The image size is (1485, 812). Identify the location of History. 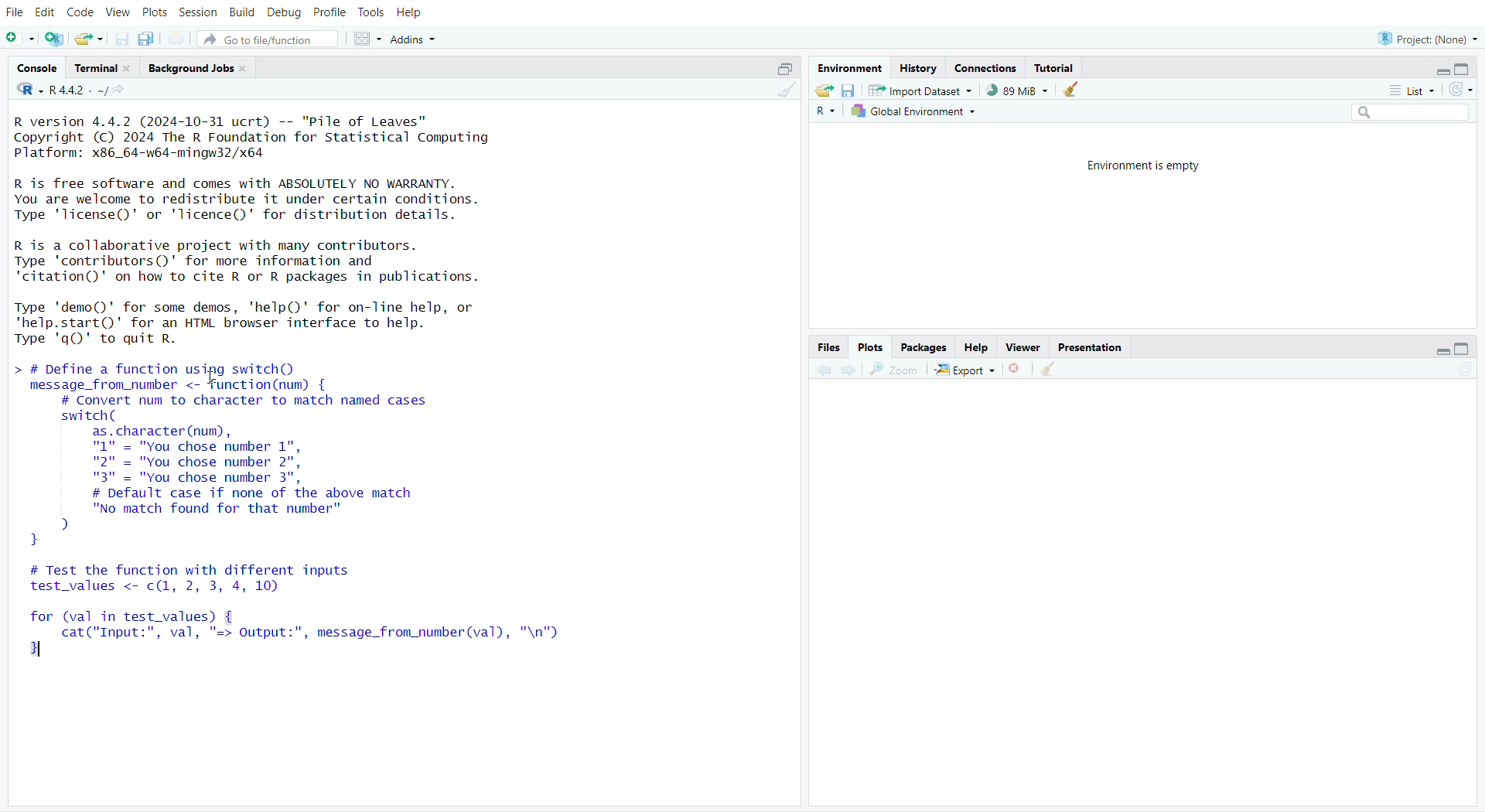
(920, 67).